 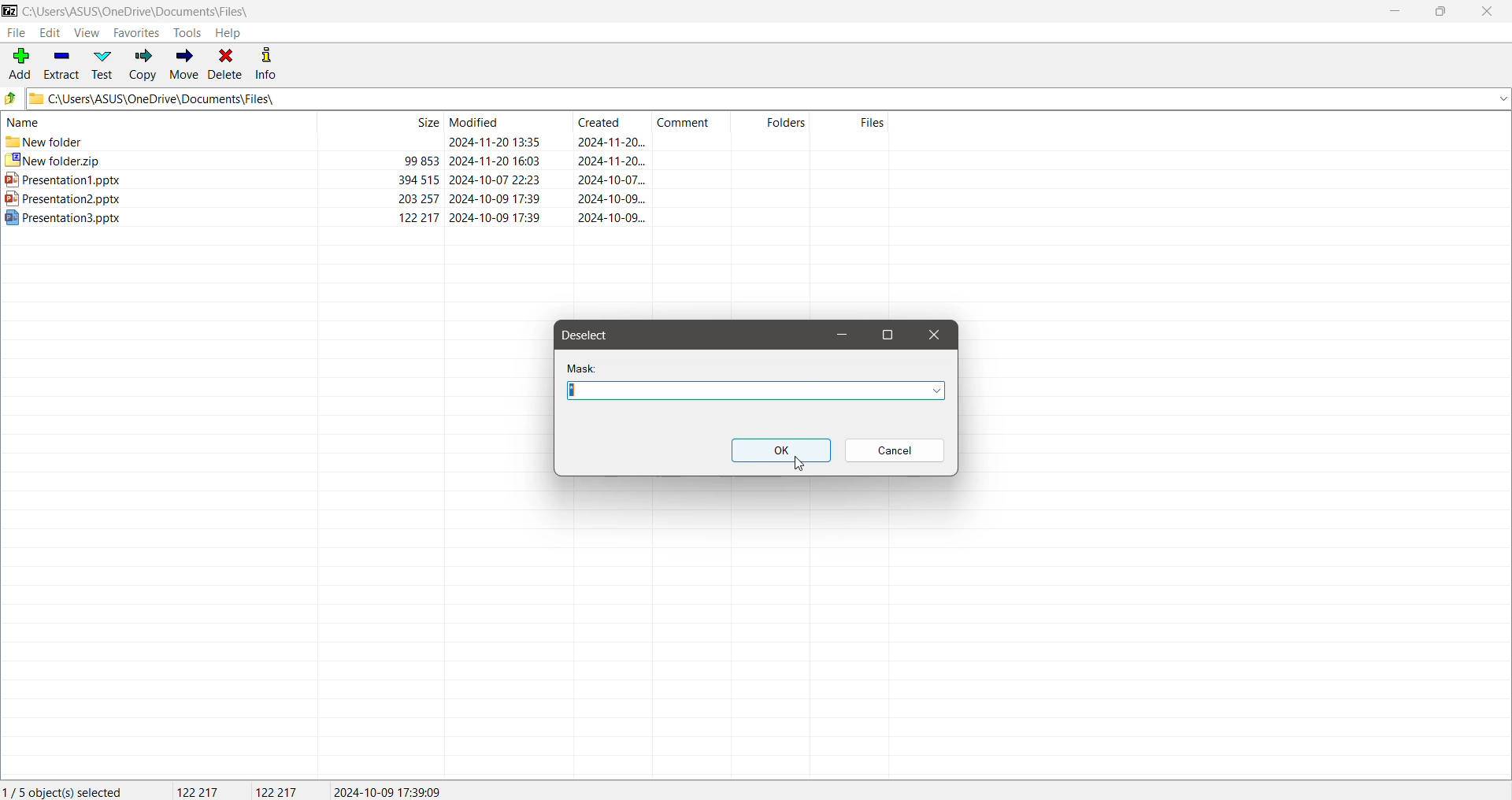 What do you see at coordinates (11, 99) in the screenshot?
I see `Move Up one level` at bounding box center [11, 99].